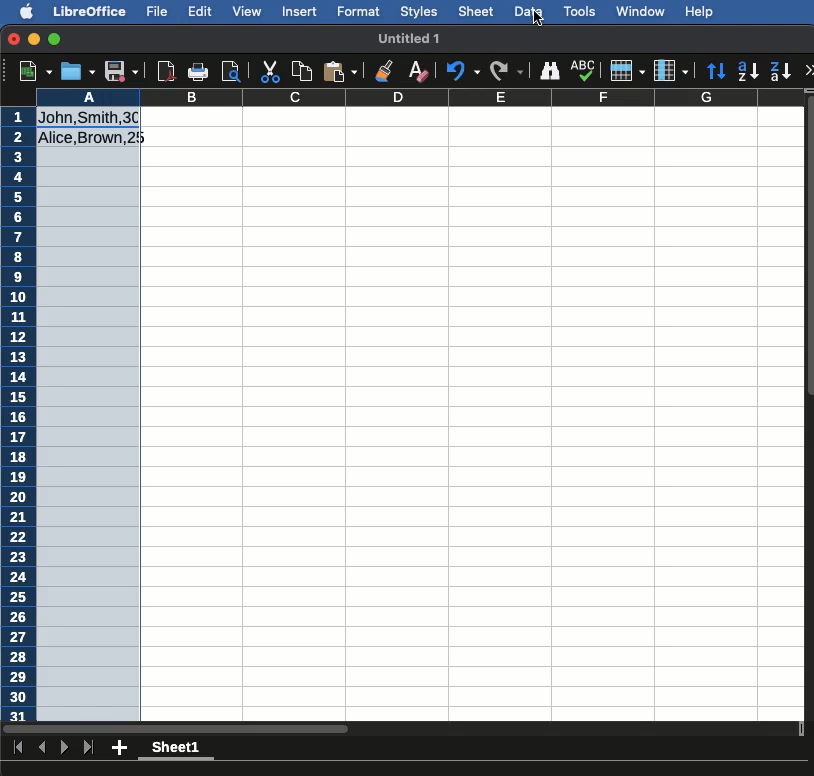 The height and width of the screenshot is (776, 814). Describe the element at coordinates (246, 12) in the screenshot. I see `View` at that location.